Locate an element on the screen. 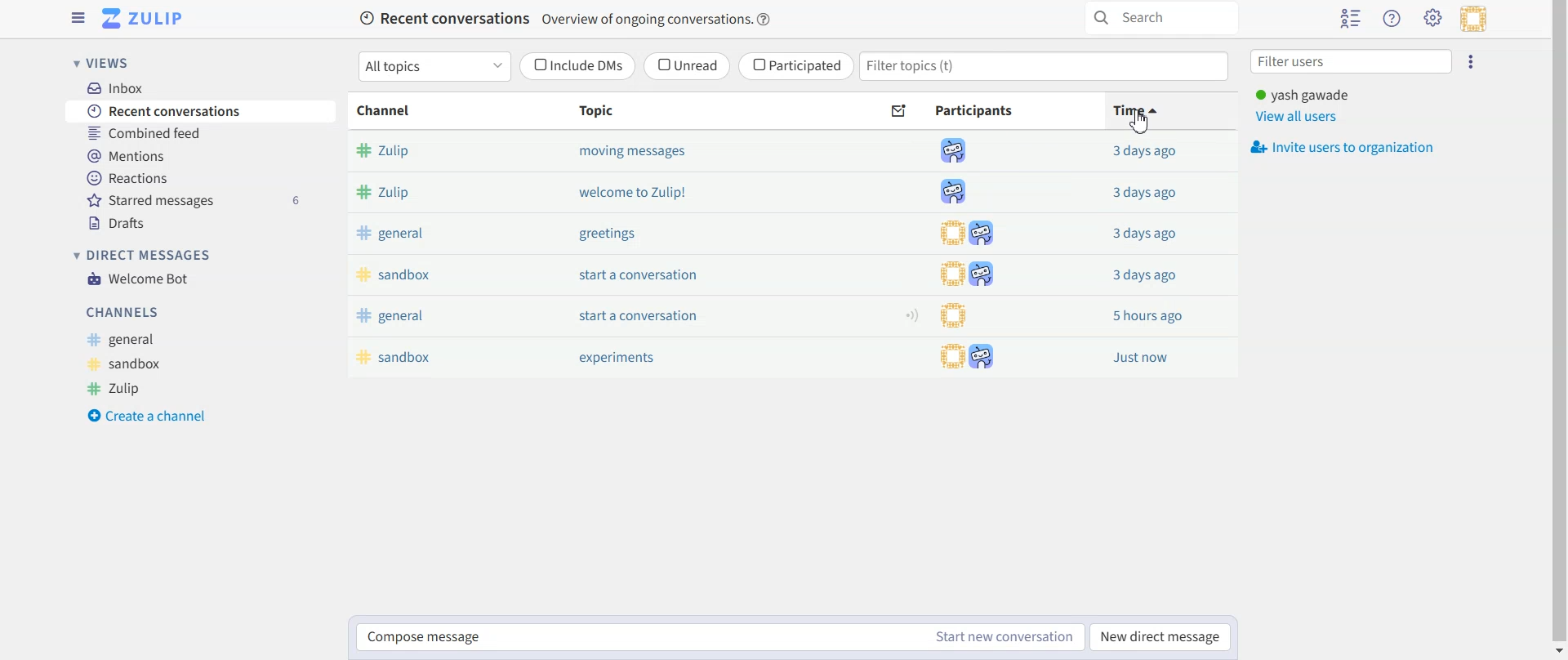  participants is located at coordinates (966, 356).